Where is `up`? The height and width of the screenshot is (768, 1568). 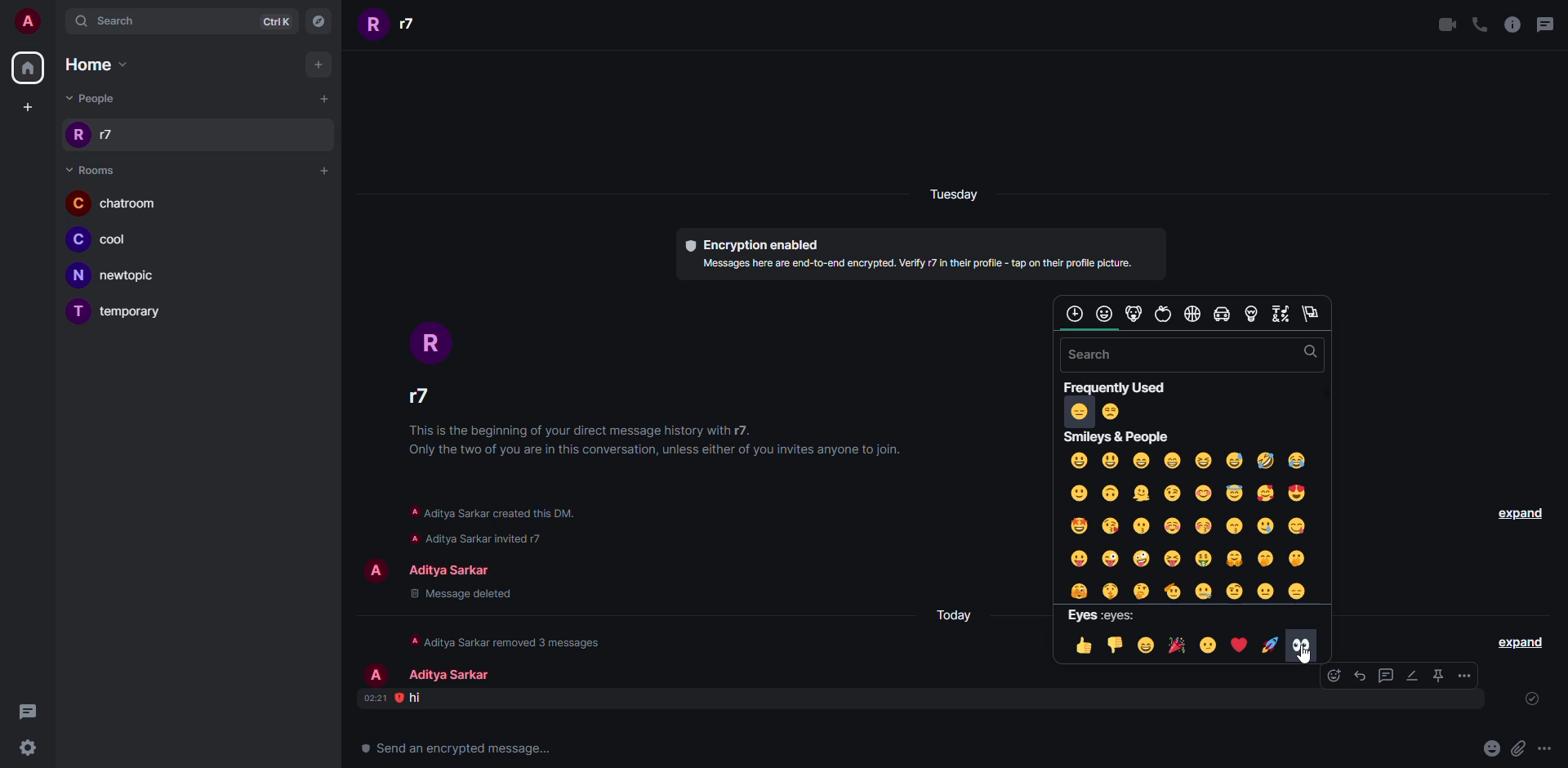 up is located at coordinates (1084, 645).